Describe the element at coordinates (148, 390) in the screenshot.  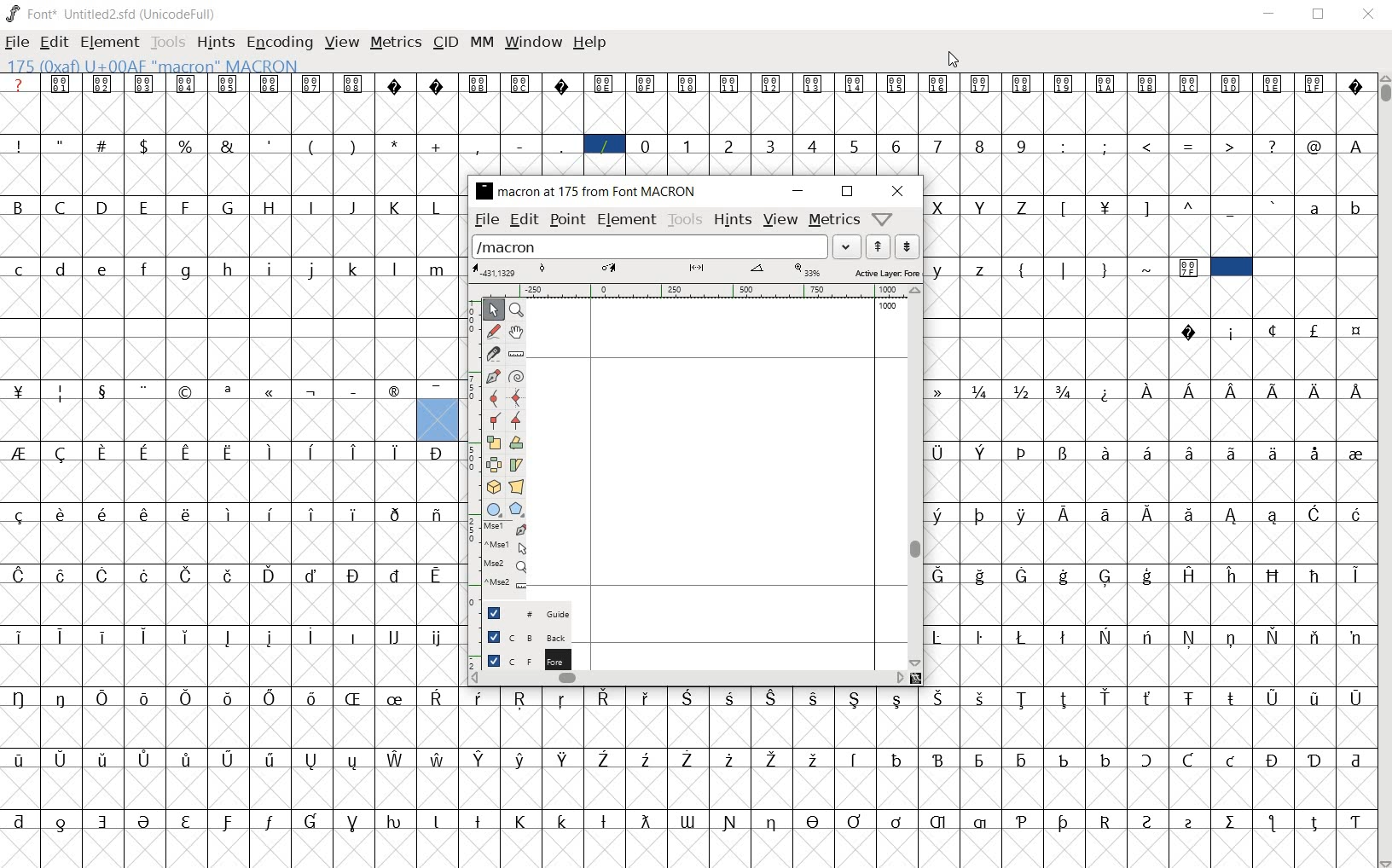
I see `Symbol` at that location.